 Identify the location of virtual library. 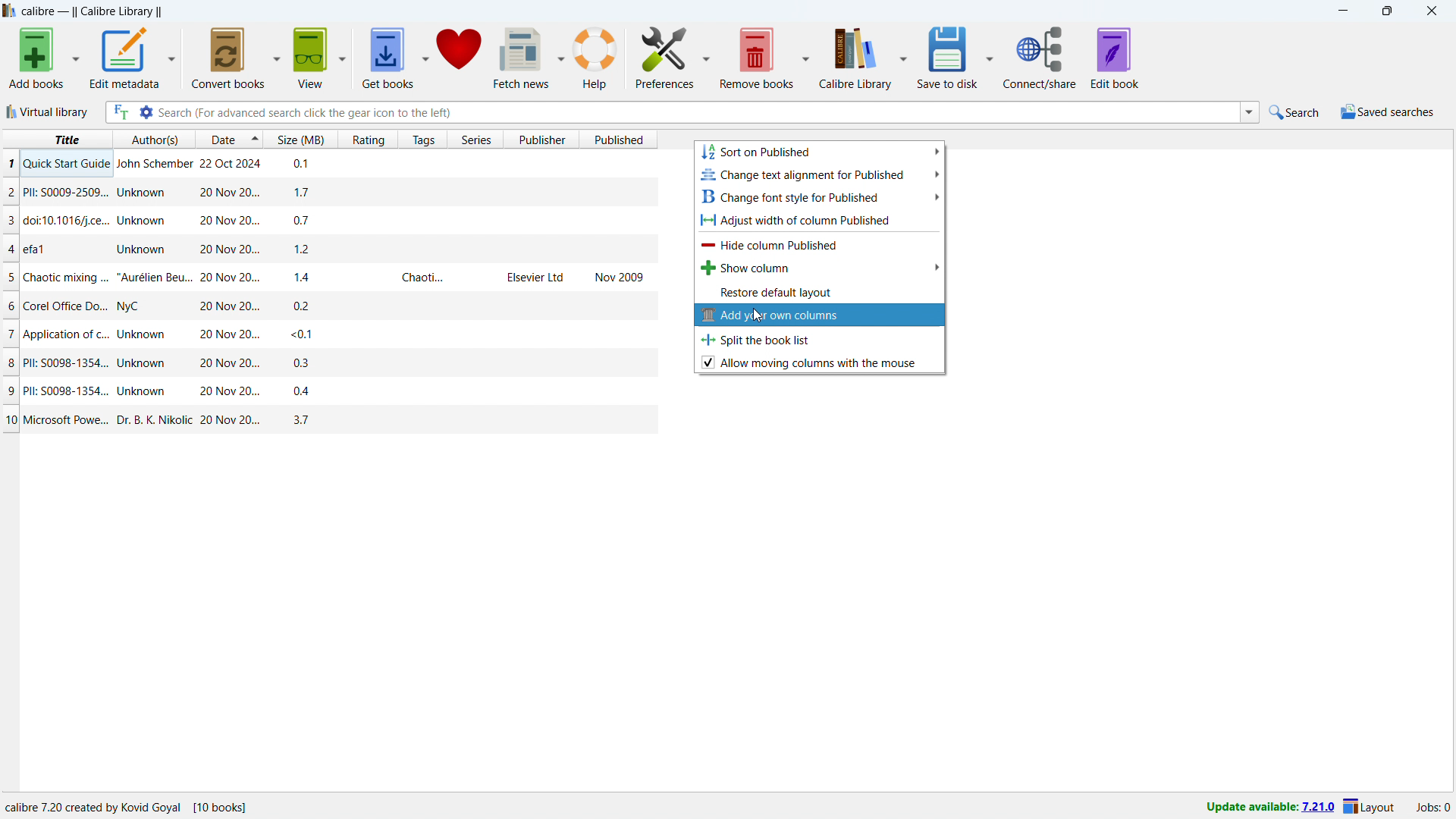
(48, 112).